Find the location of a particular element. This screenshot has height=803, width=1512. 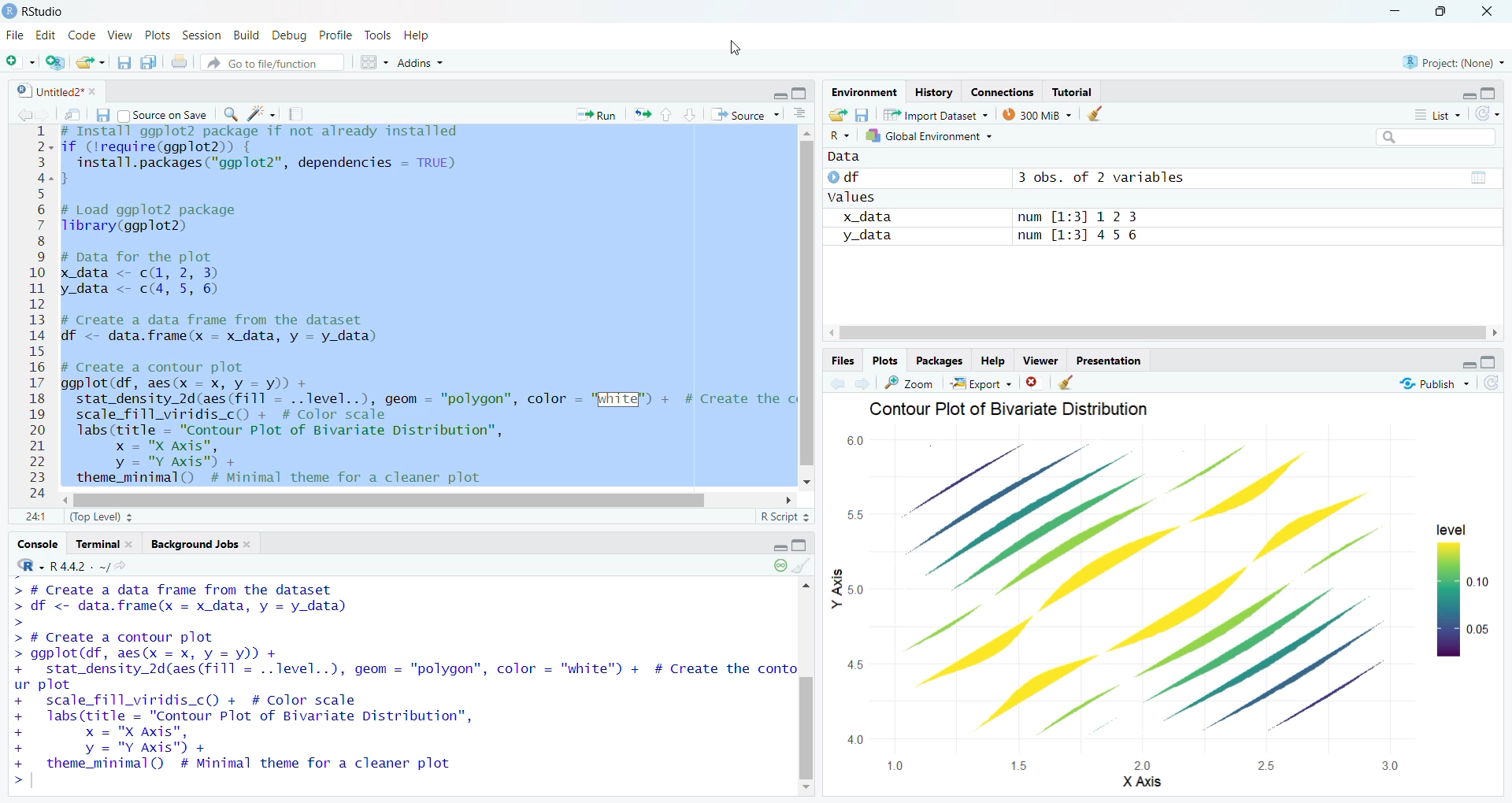

go back to the previous source location is located at coordinates (21, 116).